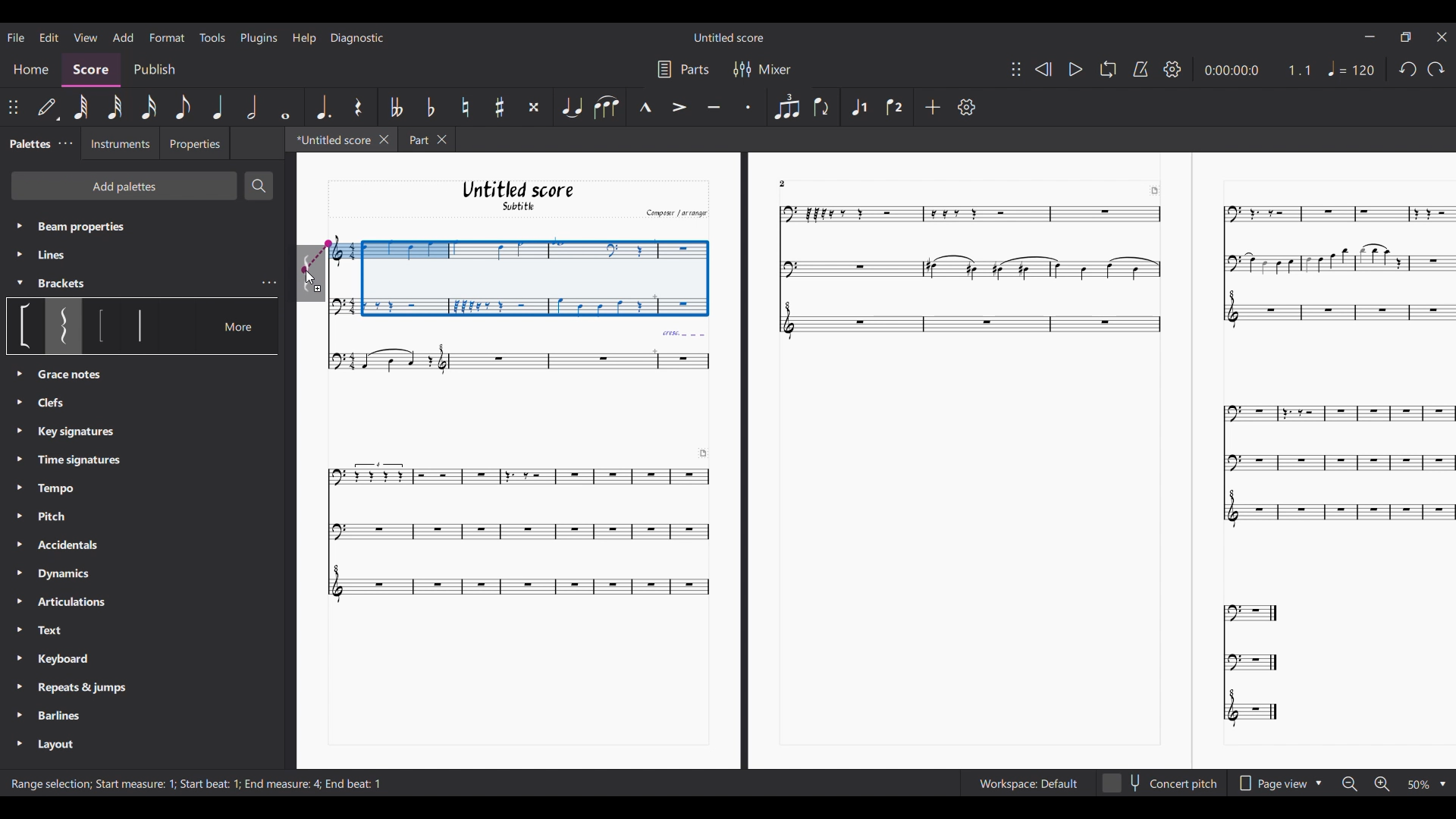 Image resolution: width=1456 pixels, height=819 pixels. What do you see at coordinates (61, 488) in the screenshot?
I see `Tempo` at bounding box center [61, 488].